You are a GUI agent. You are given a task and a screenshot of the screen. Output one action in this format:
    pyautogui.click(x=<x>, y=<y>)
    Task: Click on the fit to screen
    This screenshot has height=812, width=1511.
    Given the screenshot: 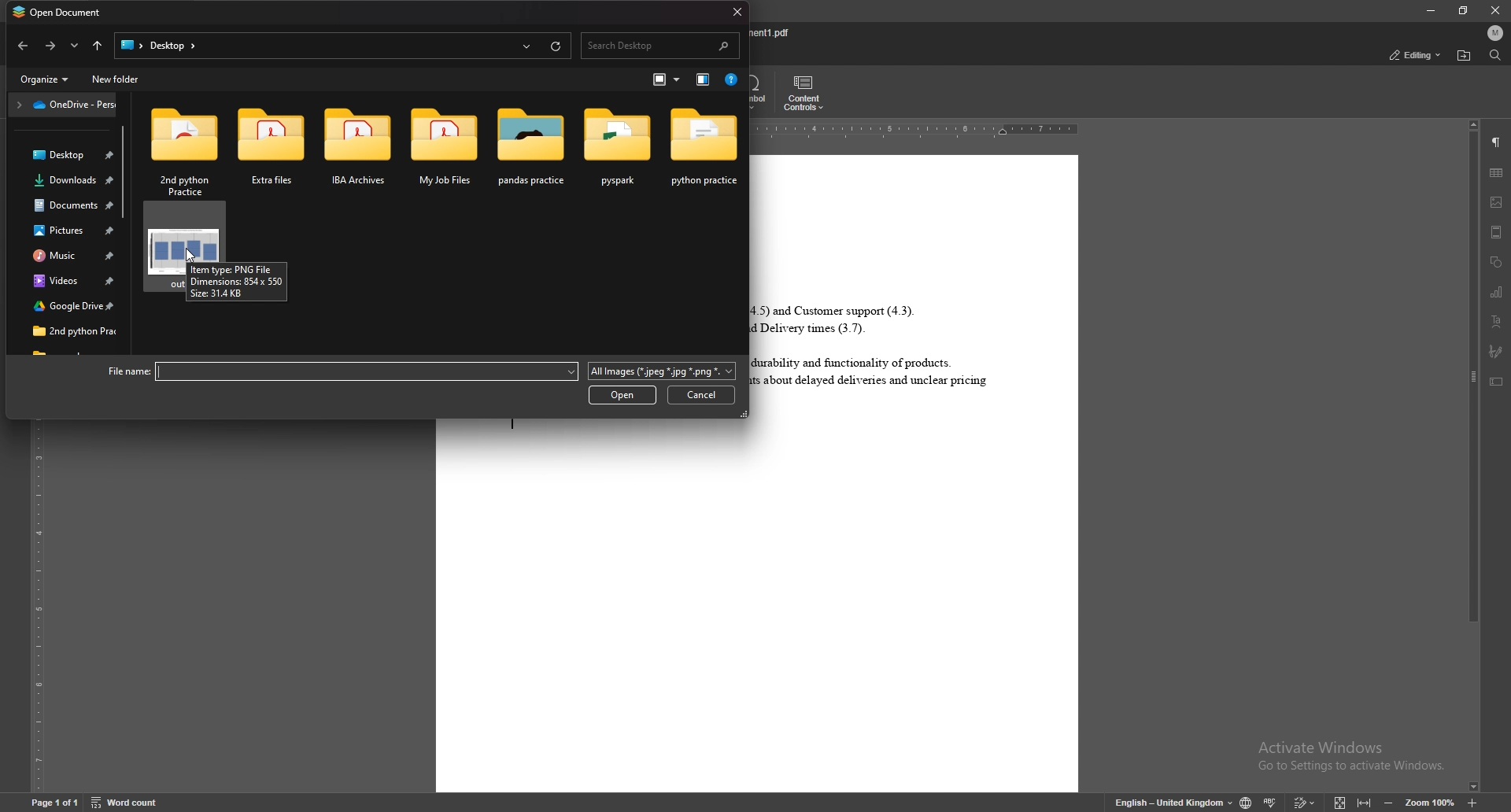 What is the action you would take?
    pyautogui.click(x=1340, y=802)
    